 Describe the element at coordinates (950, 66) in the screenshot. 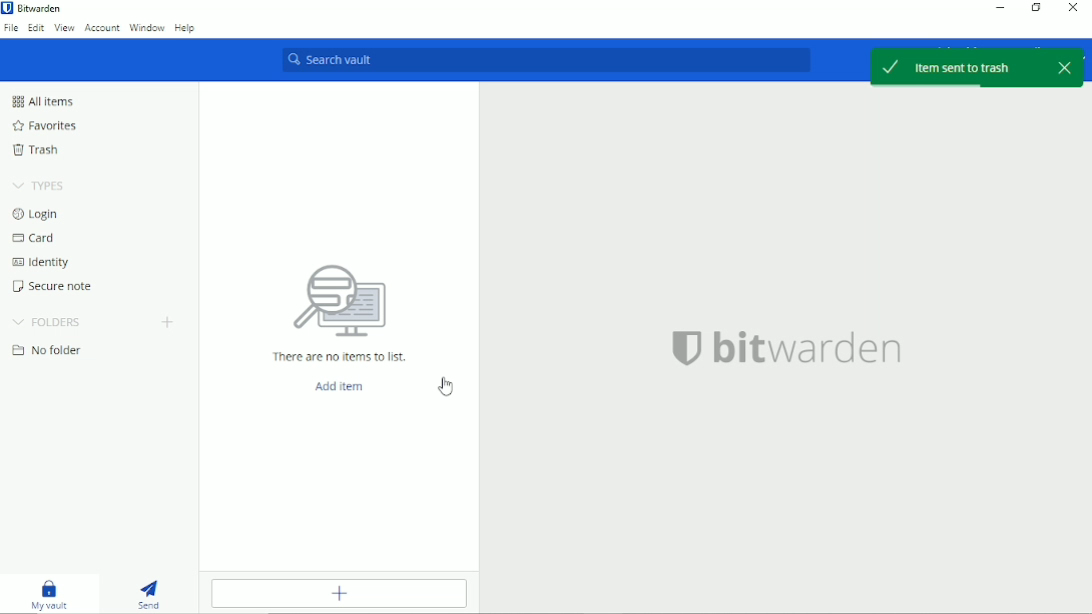

I see `Item sent to trash` at that location.